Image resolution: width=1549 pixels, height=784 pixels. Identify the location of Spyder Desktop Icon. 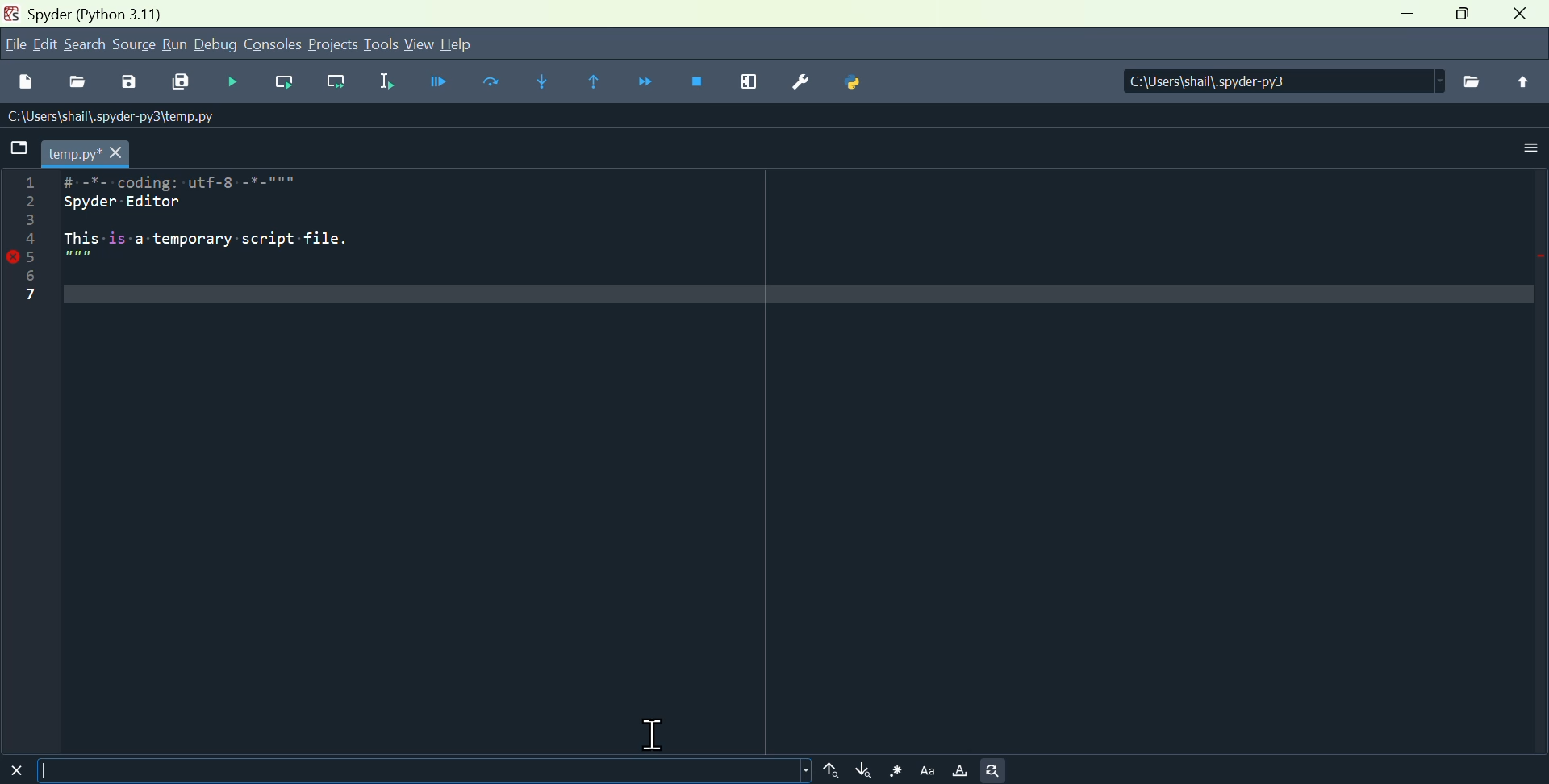
(10, 14).